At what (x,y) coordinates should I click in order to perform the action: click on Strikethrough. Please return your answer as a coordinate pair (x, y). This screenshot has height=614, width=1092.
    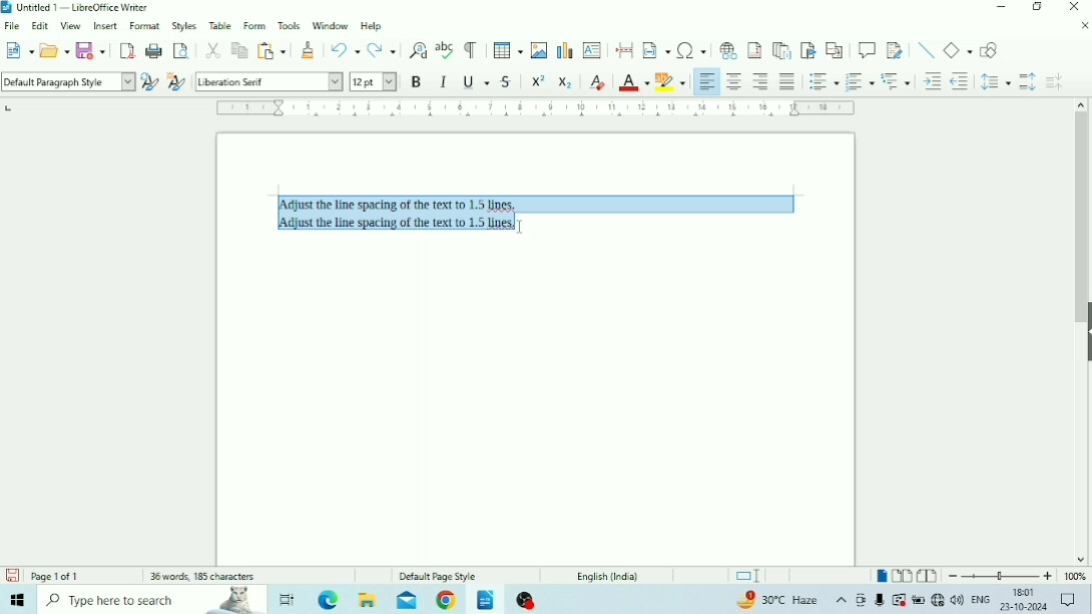
    Looking at the image, I should click on (506, 82).